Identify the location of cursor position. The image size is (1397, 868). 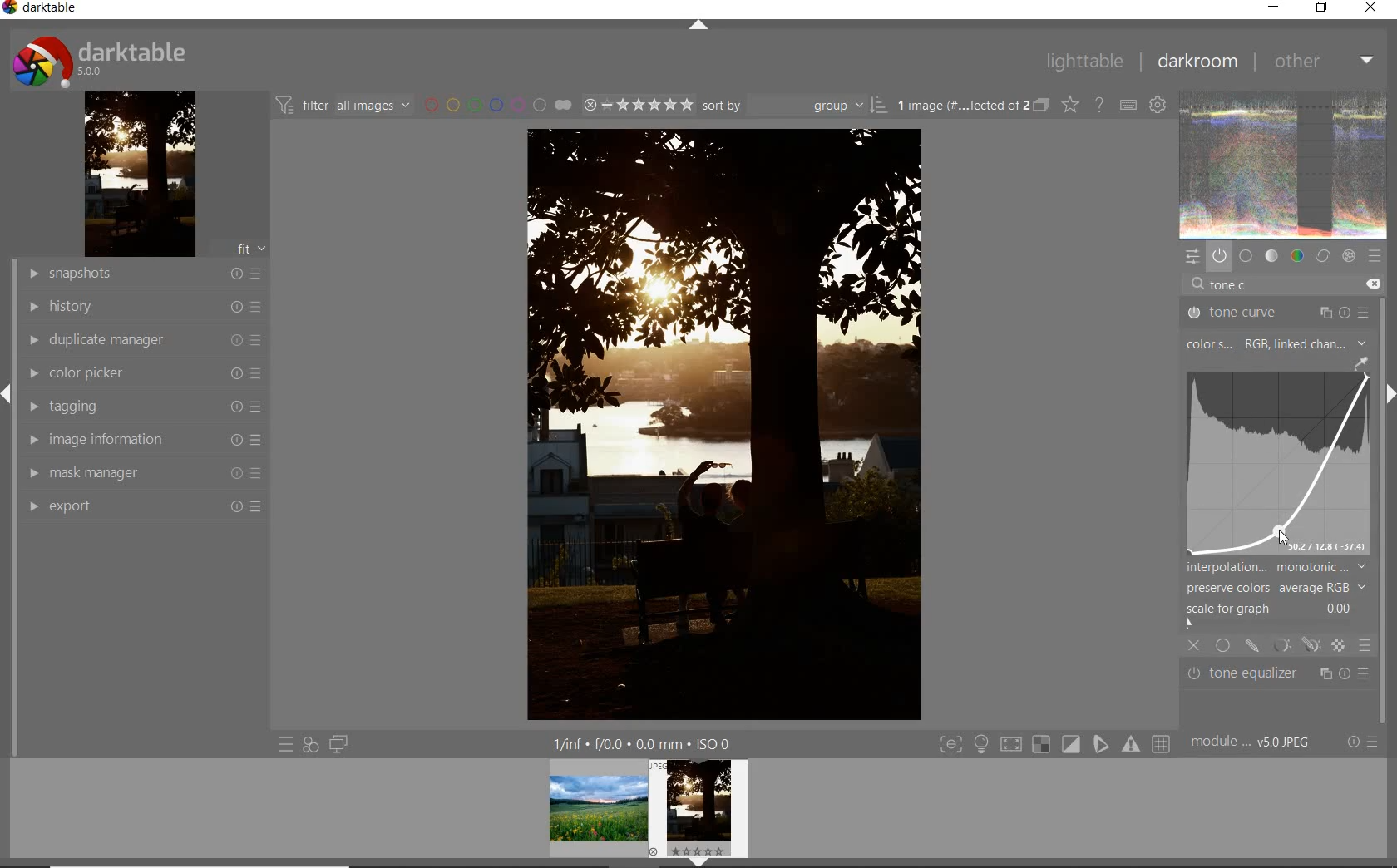
(1281, 535).